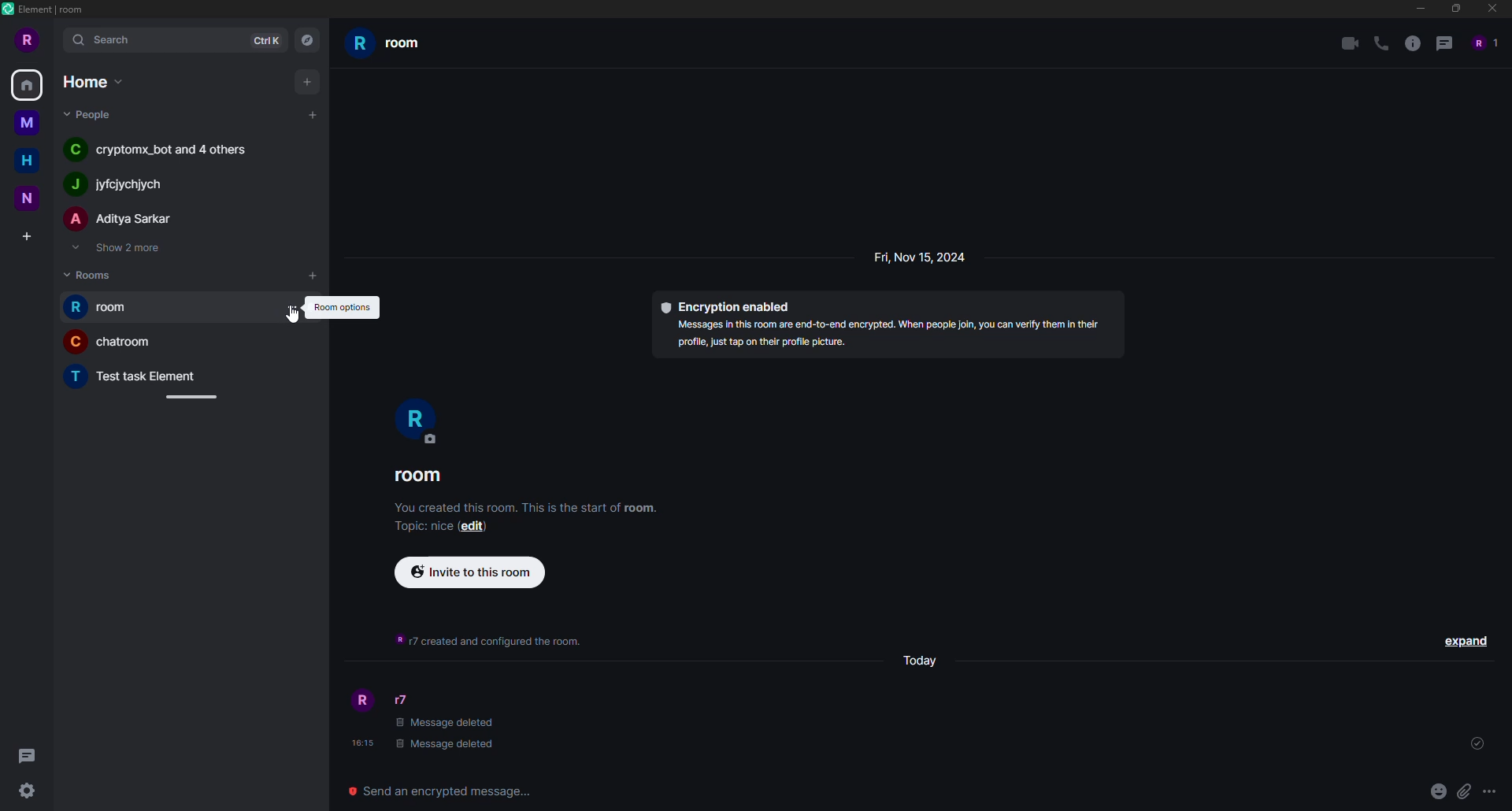  I want to click on attach, so click(1463, 791).